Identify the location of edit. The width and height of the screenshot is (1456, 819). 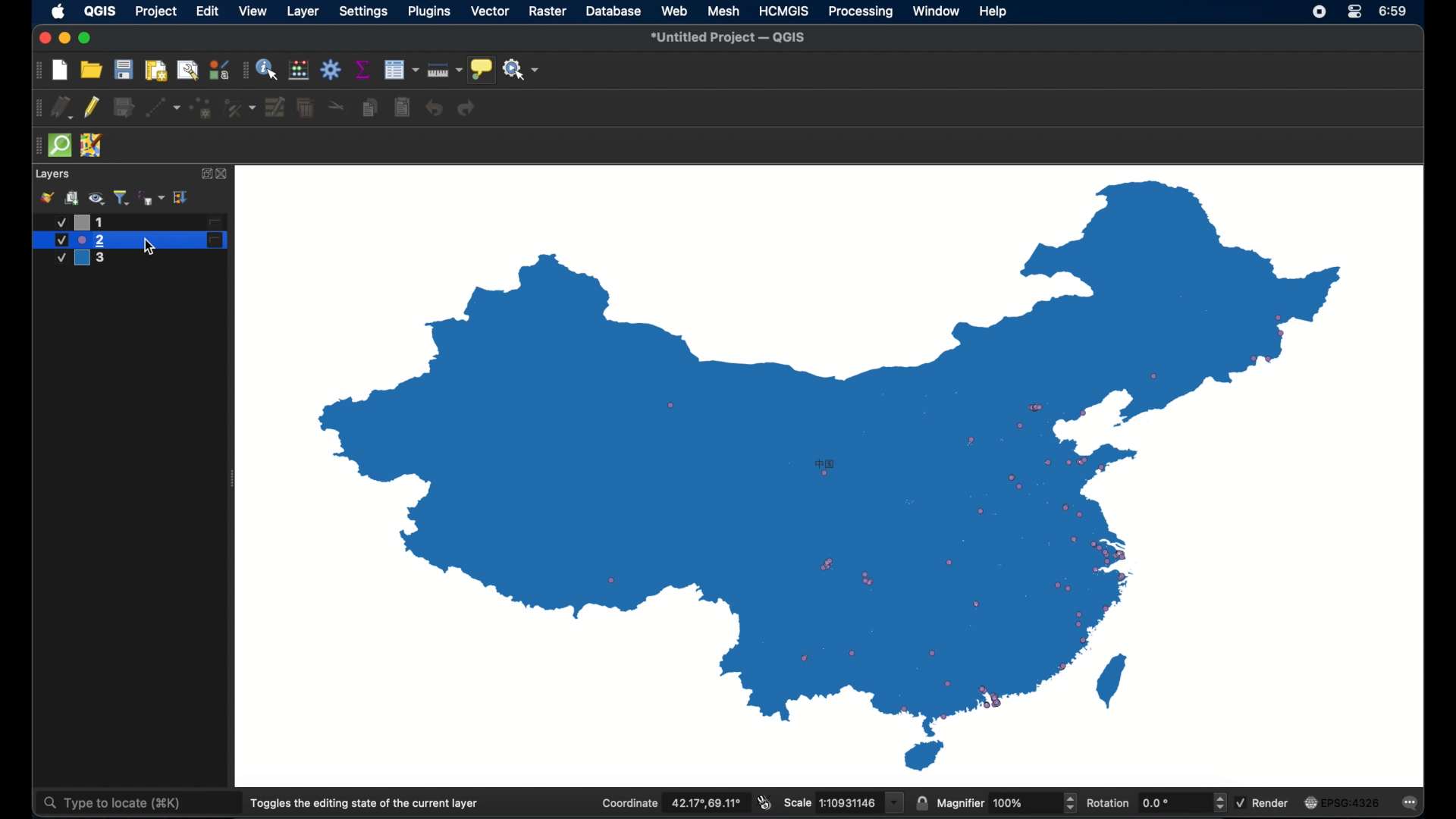
(209, 11).